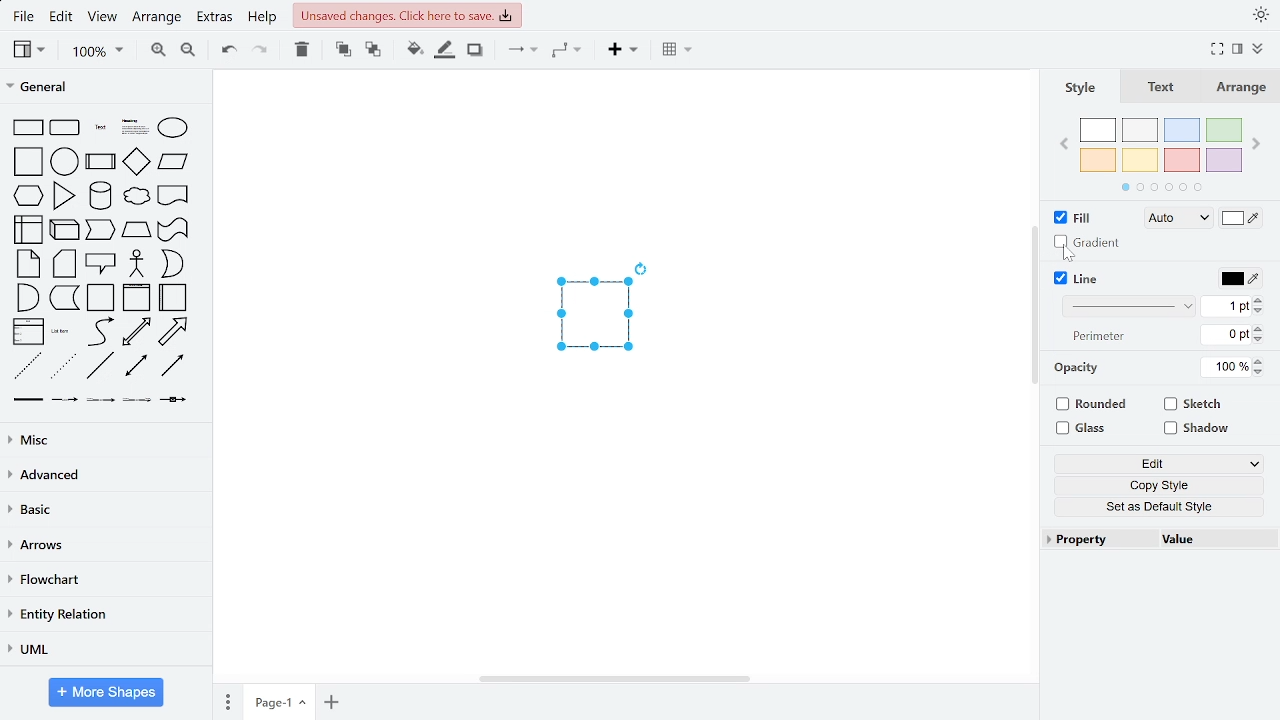 This screenshot has width=1280, height=720. What do you see at coordinates (98, 195) in the screenshot?
I see `general shapes` at bounding box center [98, 195].